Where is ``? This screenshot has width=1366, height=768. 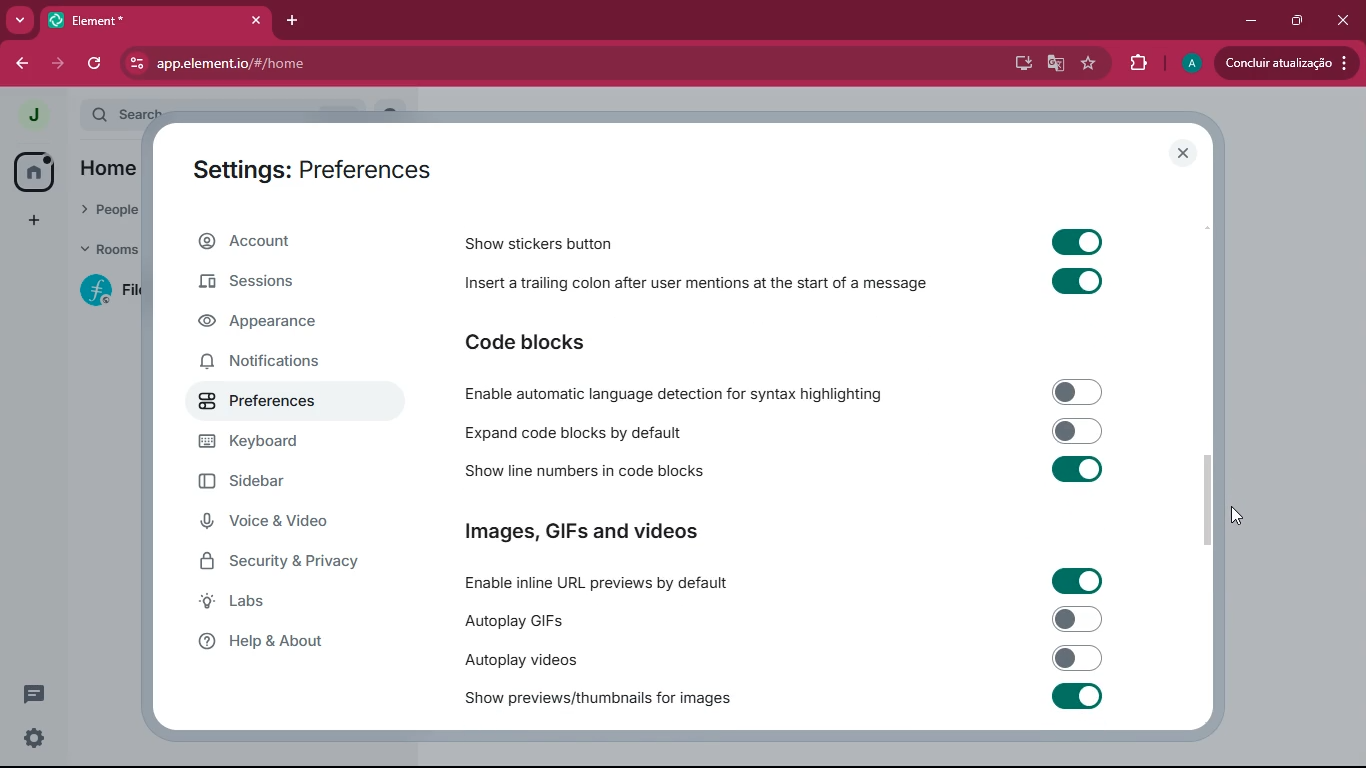
 is located at coordinates (1078, 658).